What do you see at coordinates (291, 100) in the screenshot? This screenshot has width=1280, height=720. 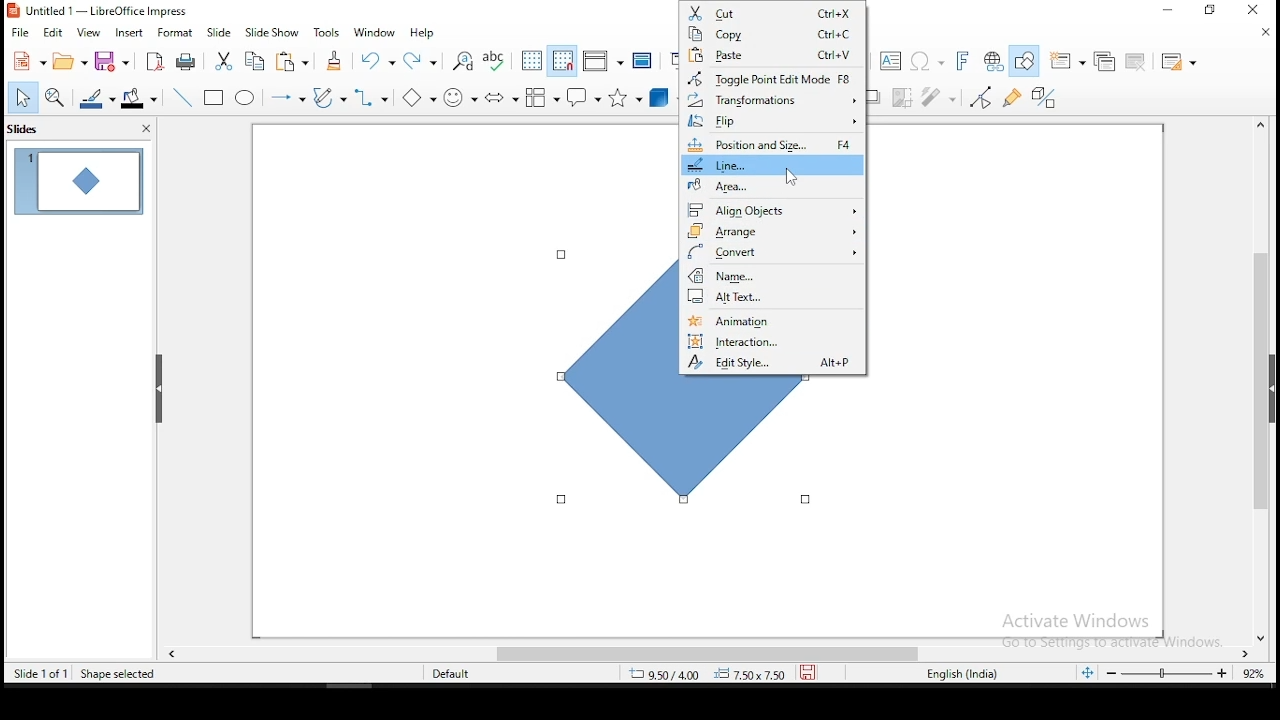 I see `lines and arrows` at bounding box center [291, 100].